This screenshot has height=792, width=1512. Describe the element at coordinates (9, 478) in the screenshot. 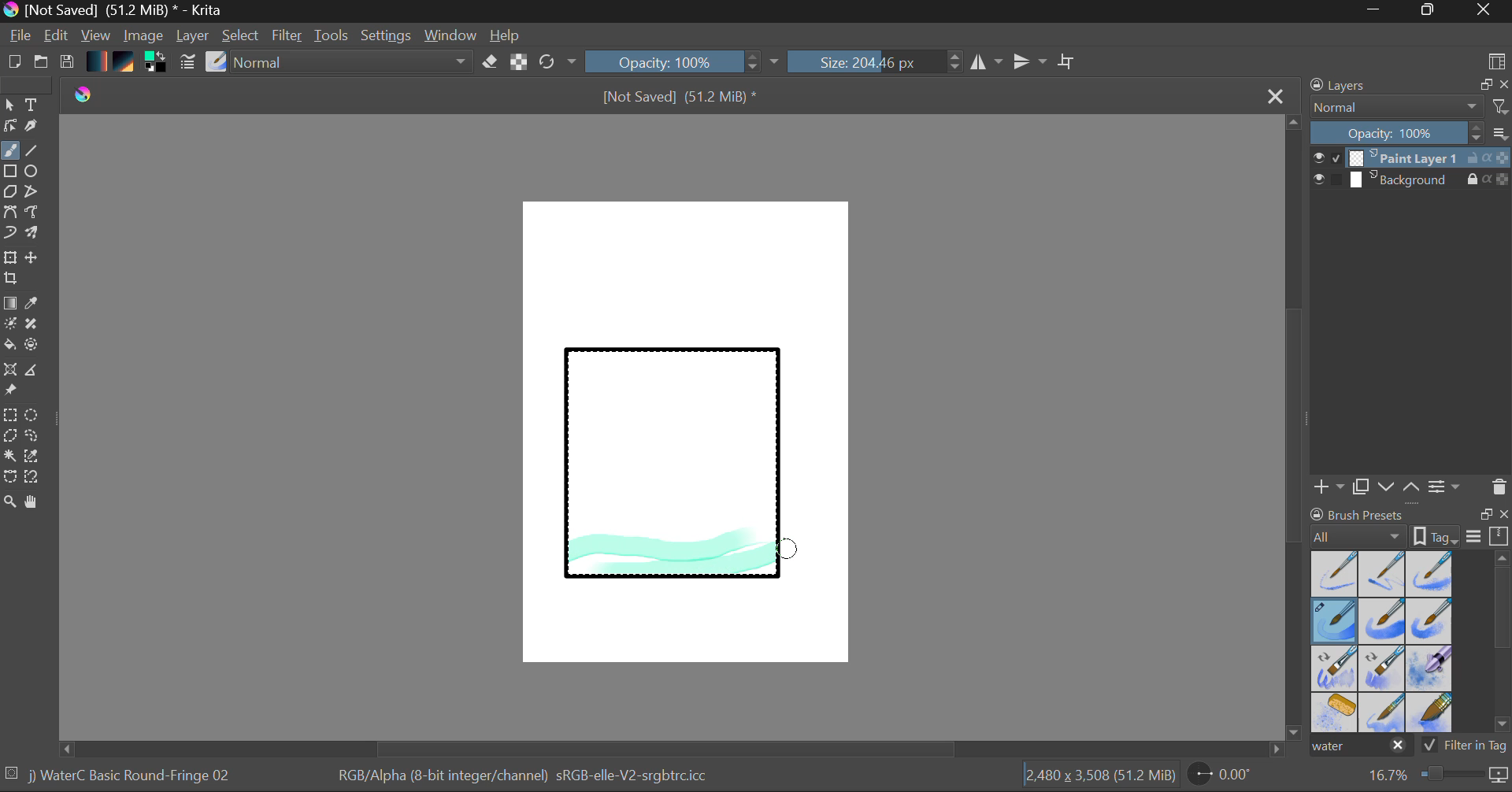

I see `Bezier Curve Selector` at that location.